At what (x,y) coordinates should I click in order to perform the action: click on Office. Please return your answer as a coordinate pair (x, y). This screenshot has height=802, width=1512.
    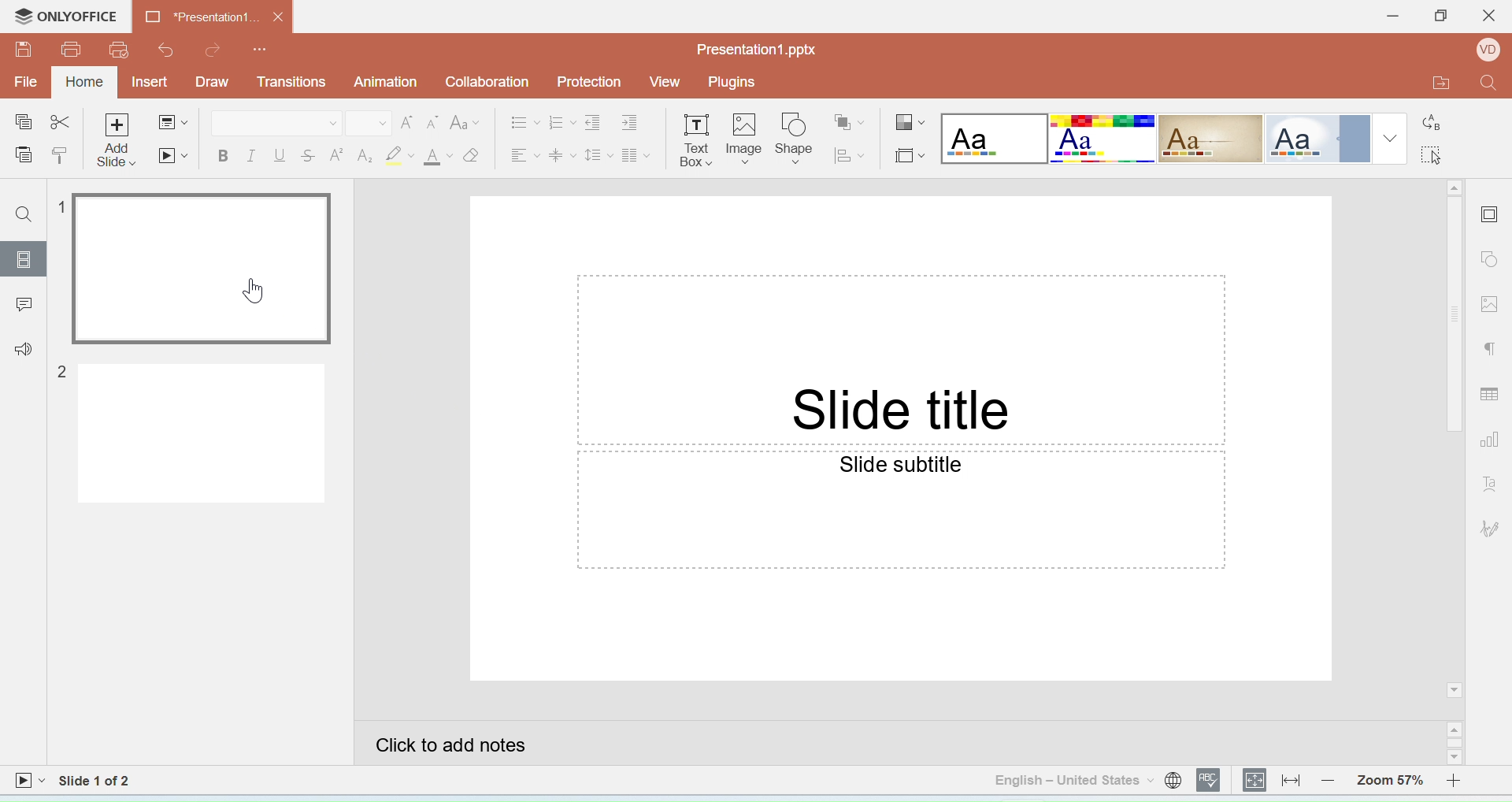
    Looking at the image, I should click on (1316, 139).